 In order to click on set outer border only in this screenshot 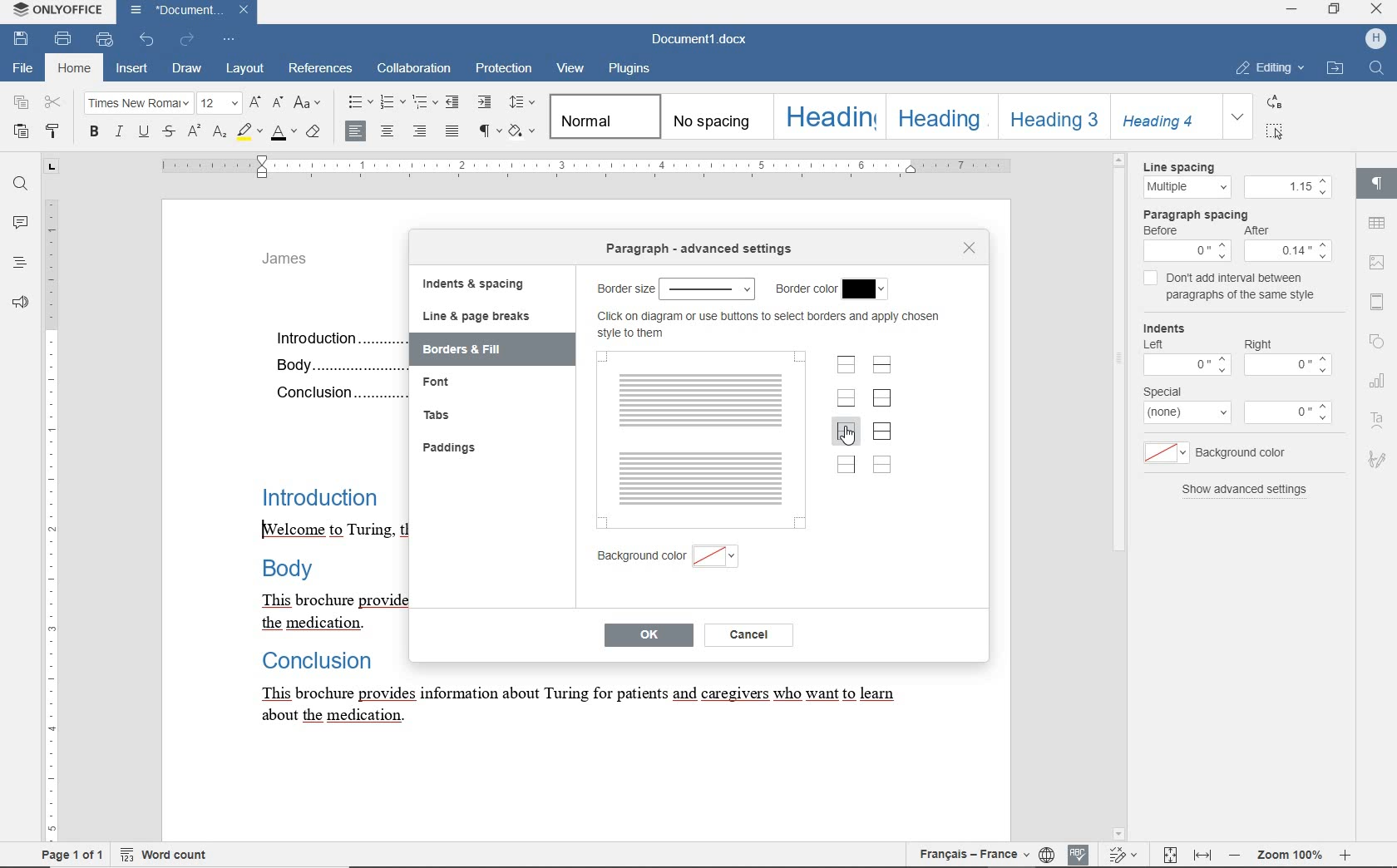, I will do `click(881, 398)`.